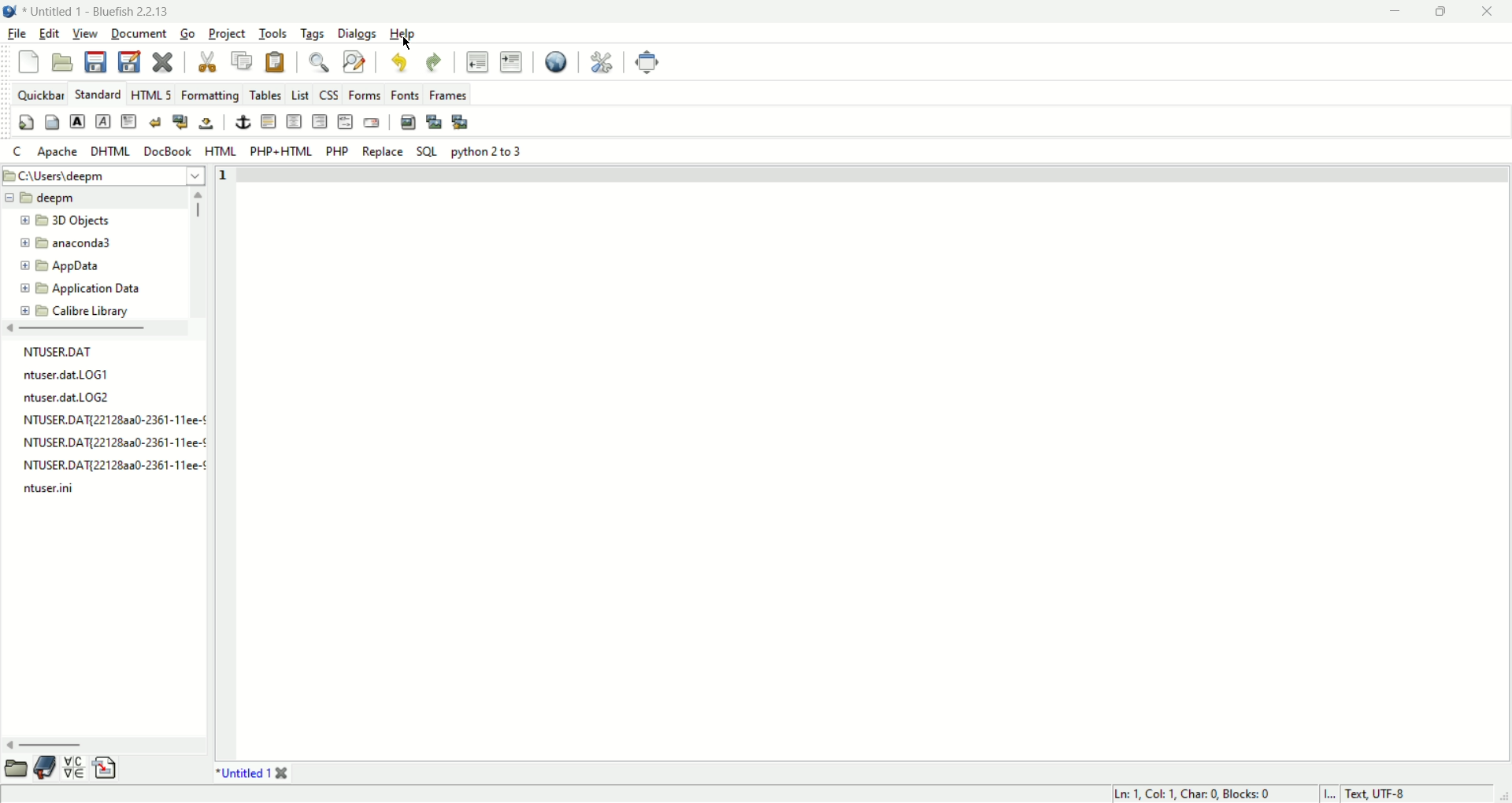 The image size is (1512, 803). Describe the element at coordinates (1448, 12) in the screenshot. I see `maximize` at that location.